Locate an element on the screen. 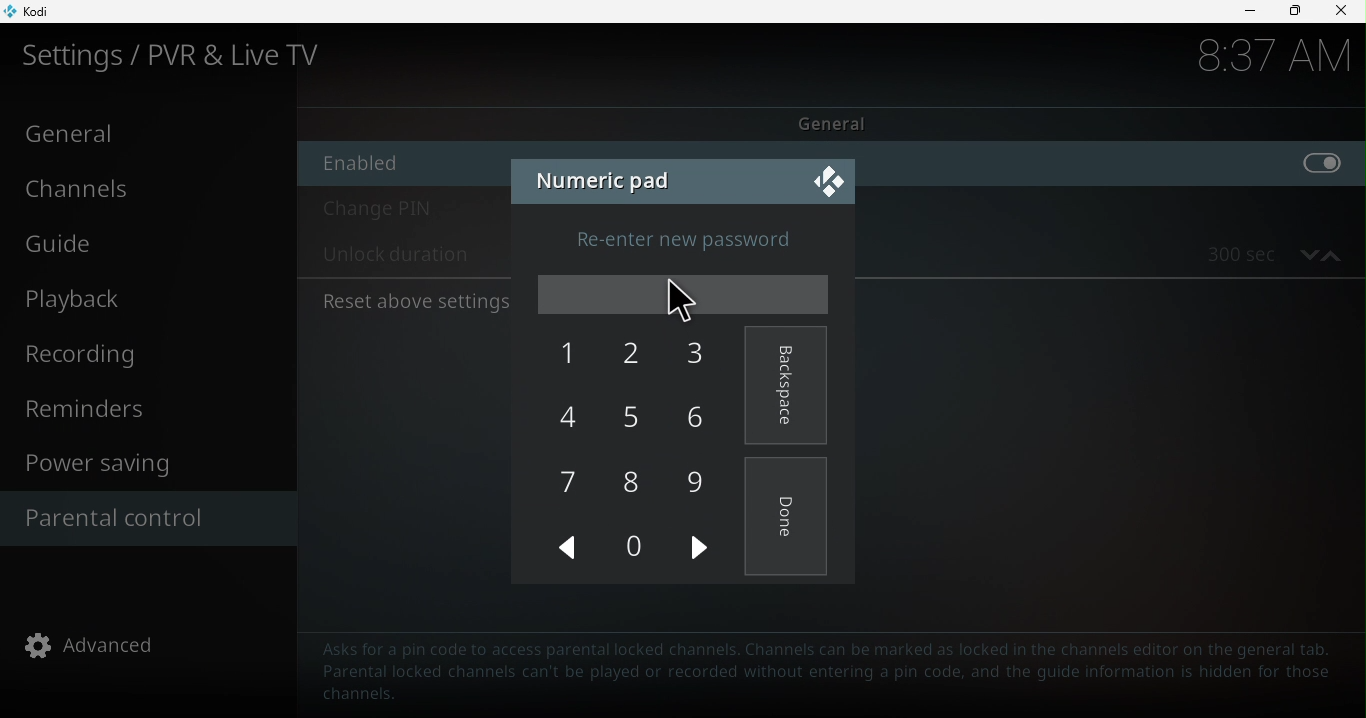 This screenshot has width=1366, height=718. Kodi icon is located at coordinates (41, 10).